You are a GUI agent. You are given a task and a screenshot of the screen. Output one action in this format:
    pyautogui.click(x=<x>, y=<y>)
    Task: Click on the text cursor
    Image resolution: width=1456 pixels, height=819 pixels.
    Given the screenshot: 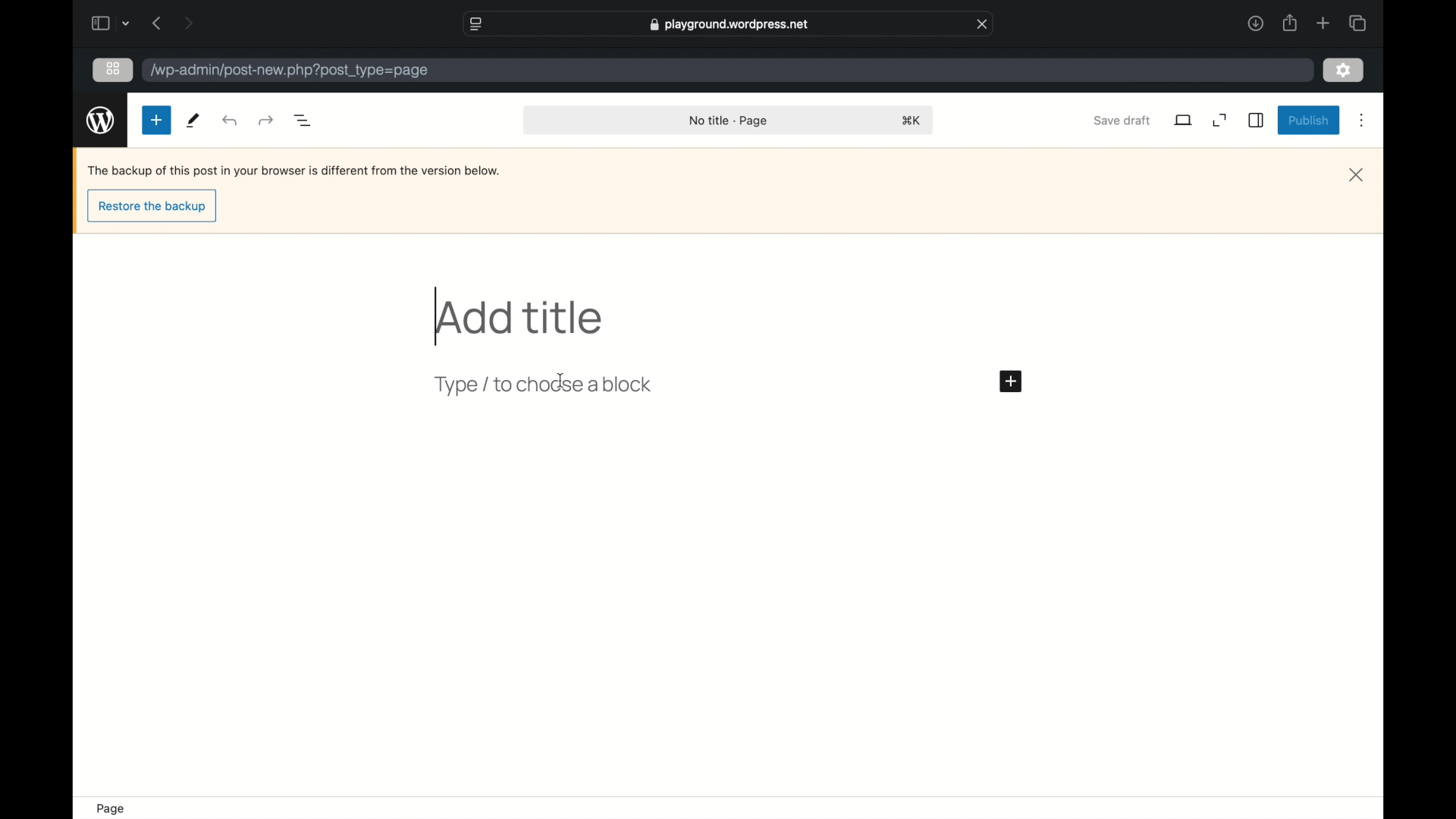 What is the action you would take?
    pyautogui.click(x=436, y=318)
    